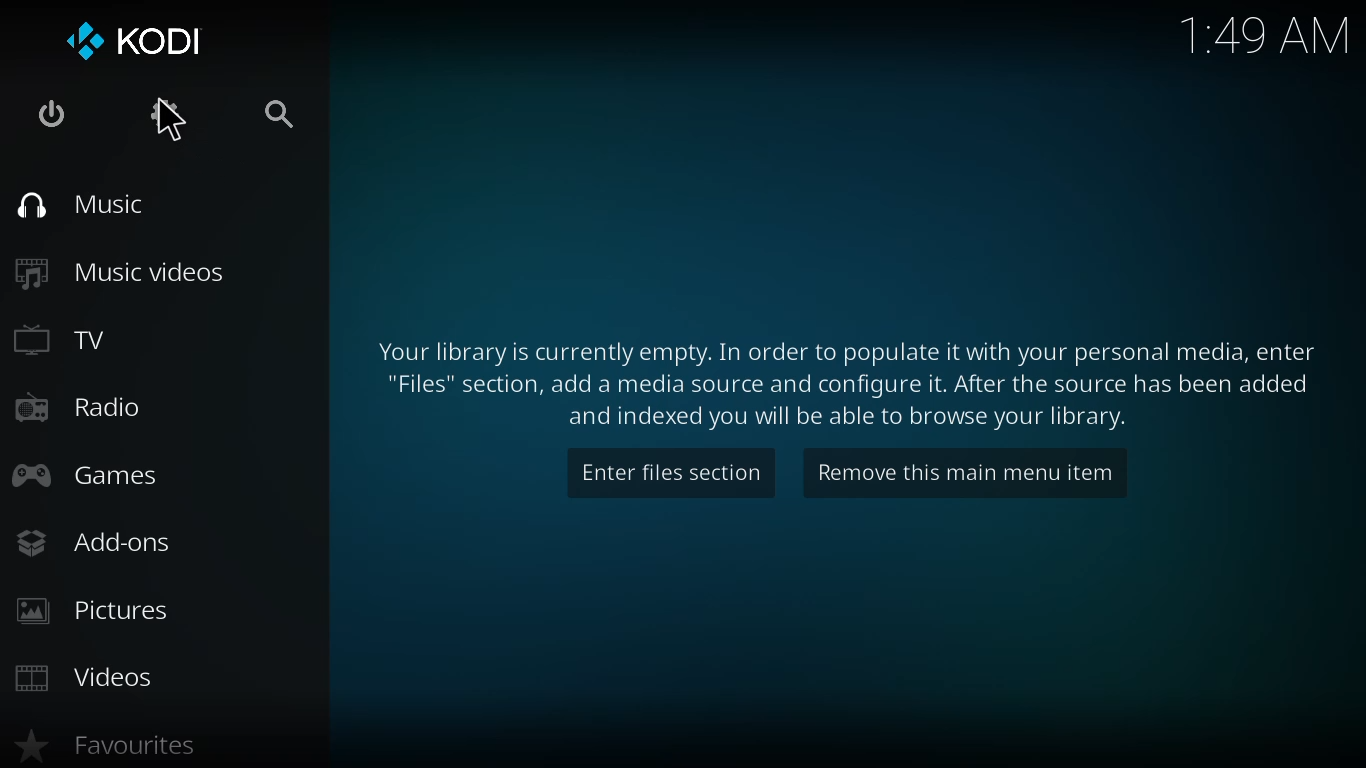 The width and height of the screenshot is (1366, 768). Describe the element at coordinates (101, 746) in the screenshot. I see `favorites` at that location.